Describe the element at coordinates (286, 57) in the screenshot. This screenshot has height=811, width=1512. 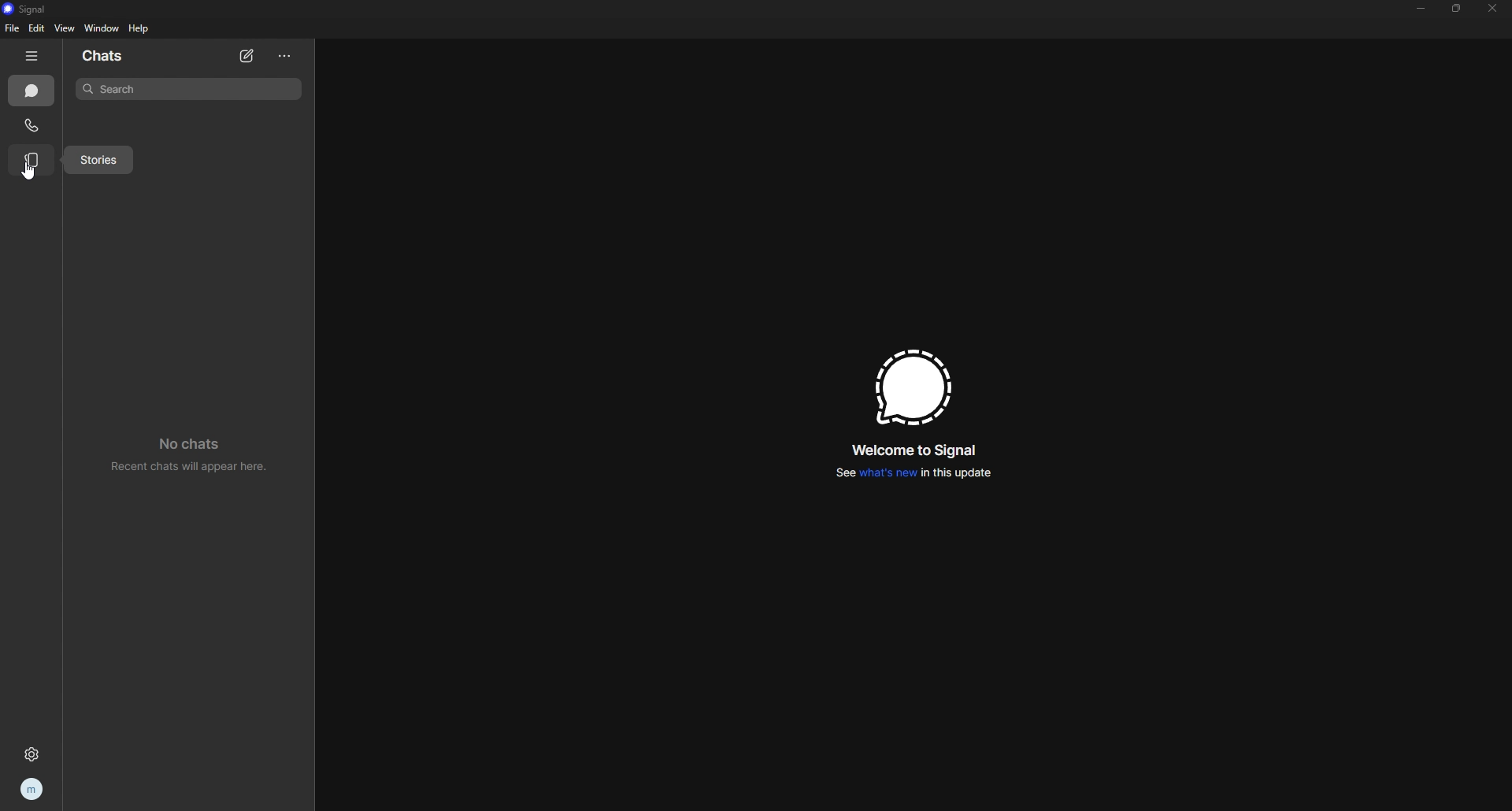
I see `options` at that location.